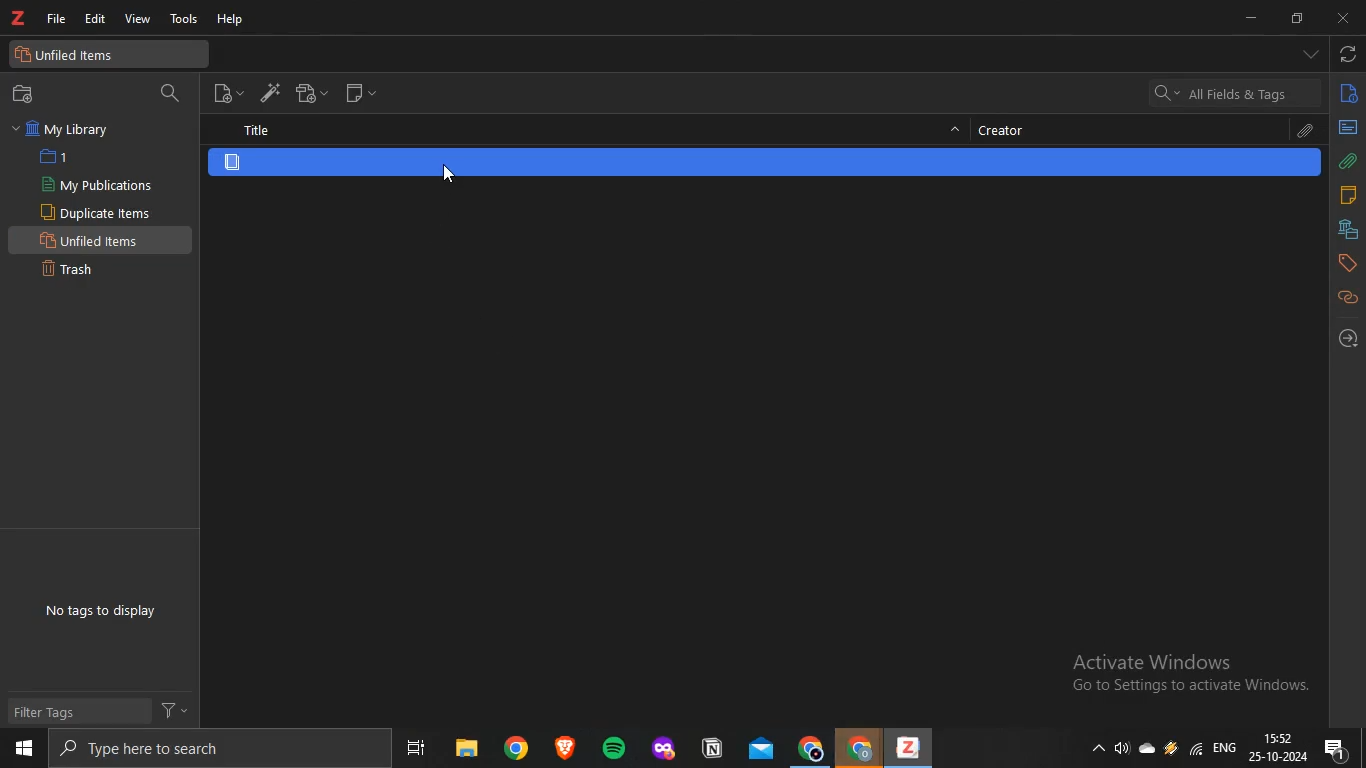  Describe the element at coordinates (76, 267) in the screenshot. I see `Trash` at that location.